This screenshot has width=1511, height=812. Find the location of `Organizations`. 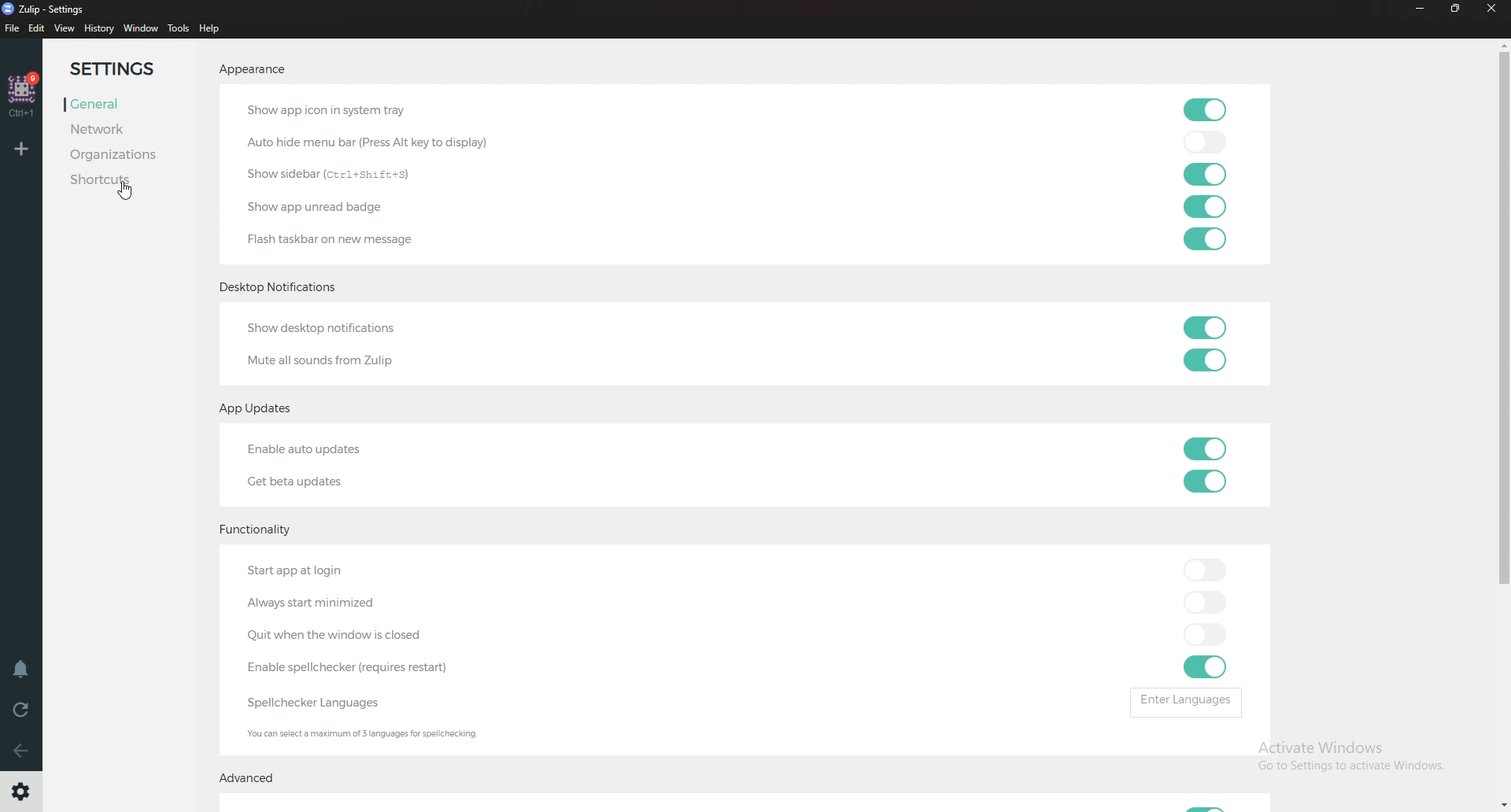

Organizations is located at coordinates (133, 156).